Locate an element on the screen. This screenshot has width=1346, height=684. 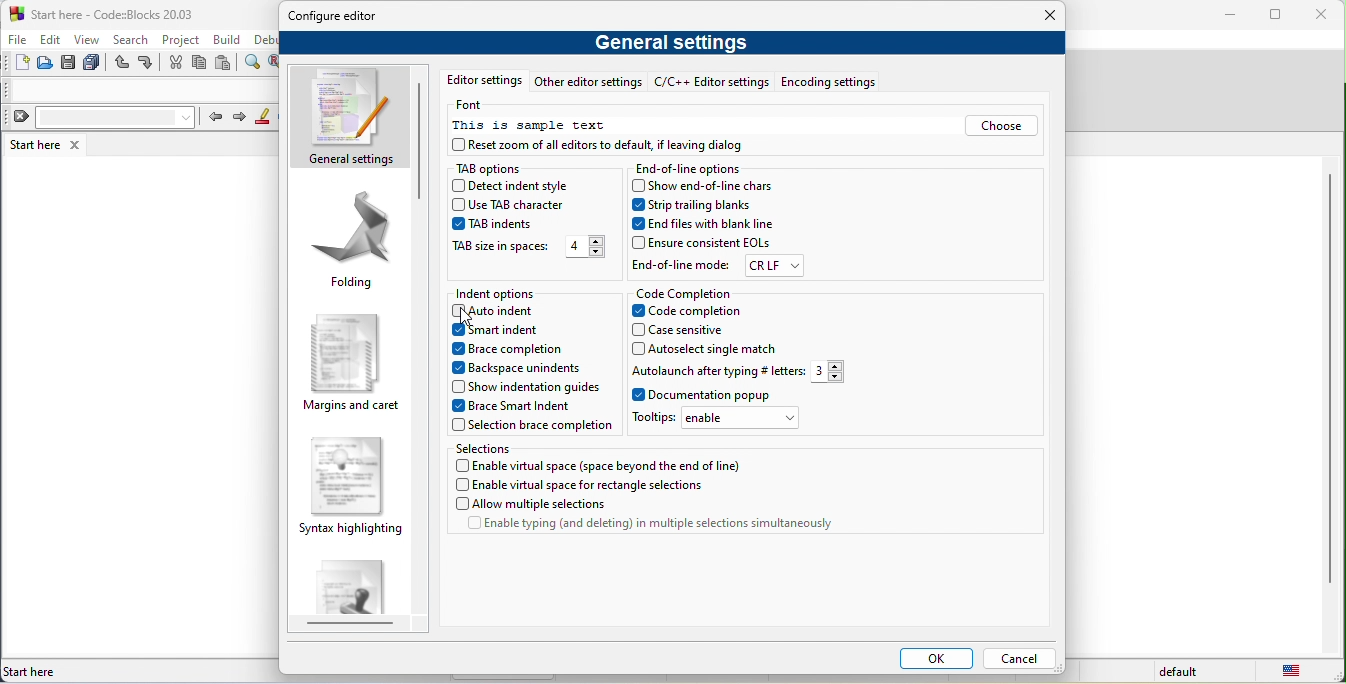
indent option is located at coordinates (510, 291).